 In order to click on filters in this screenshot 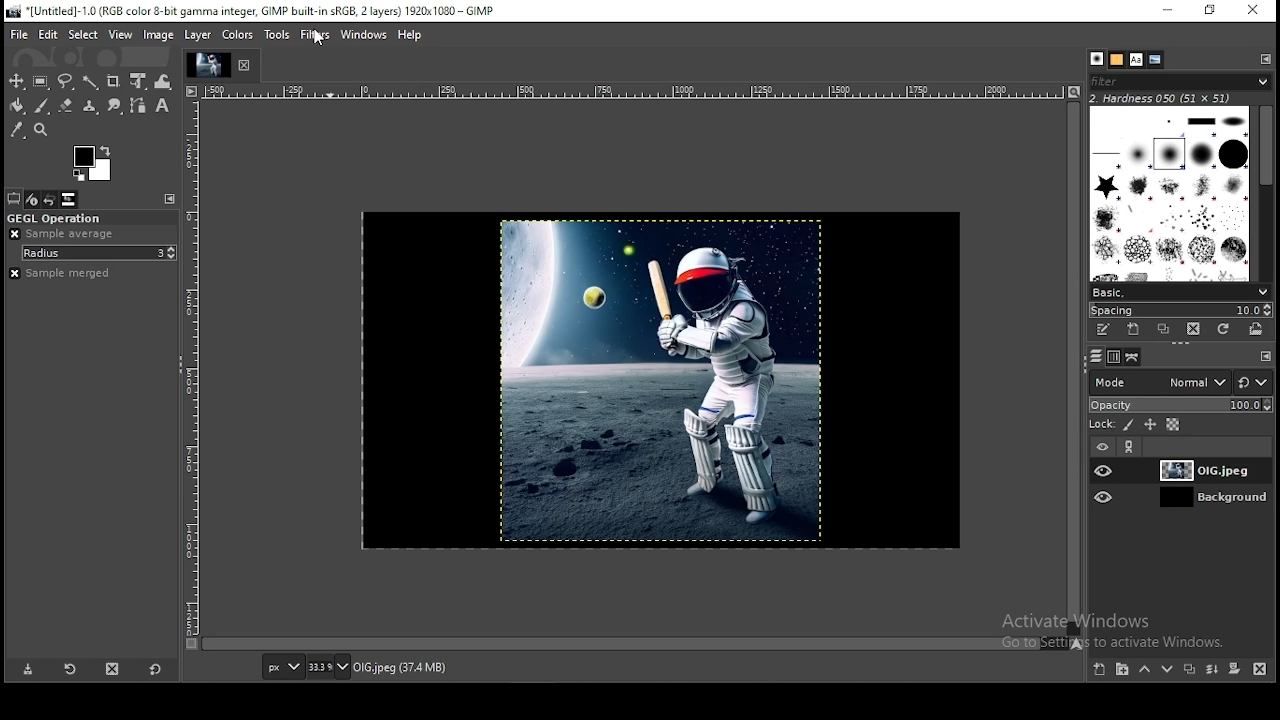, I will do `click(315, 35)`.